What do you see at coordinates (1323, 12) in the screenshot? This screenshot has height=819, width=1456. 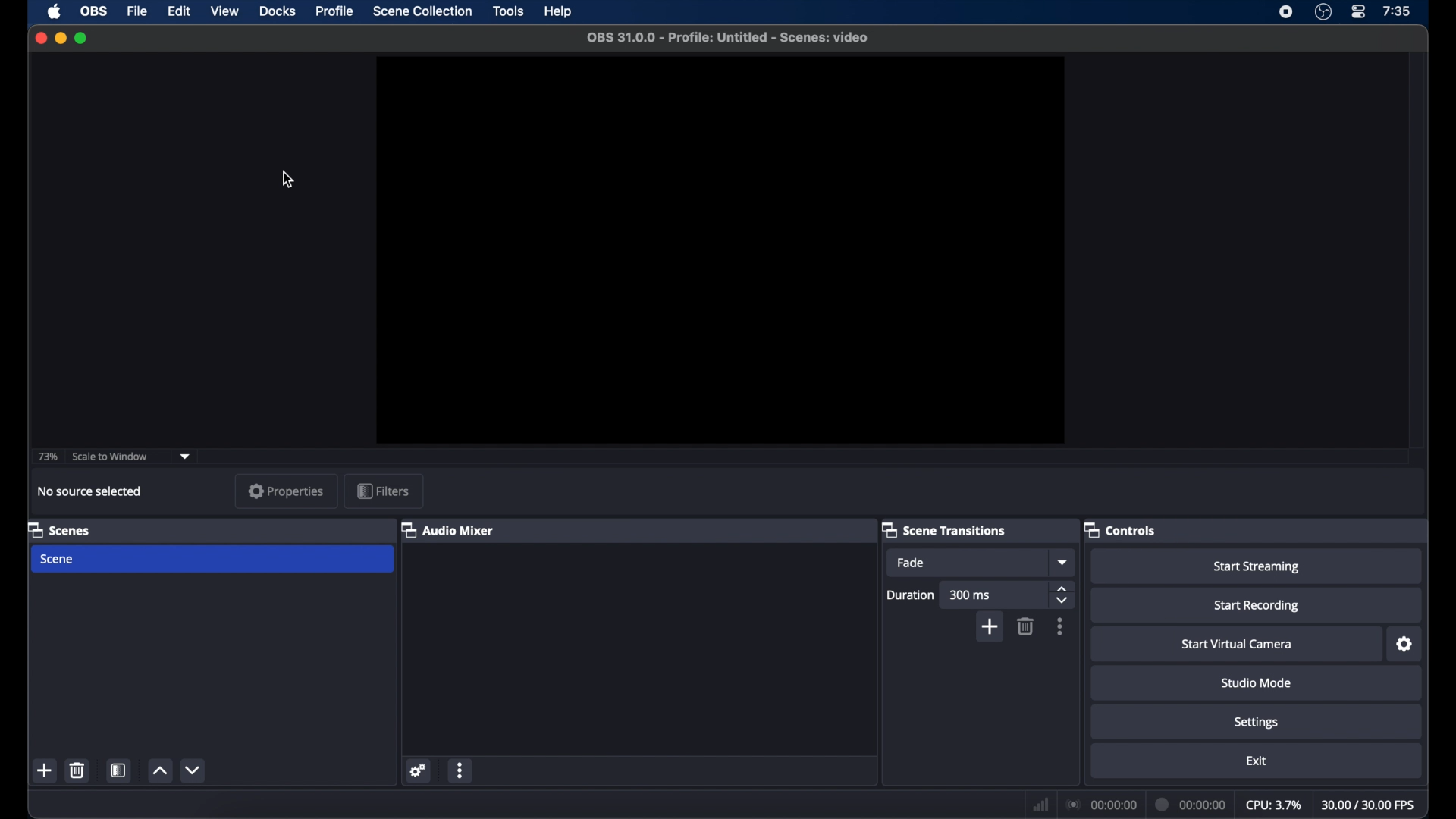 I see `obs studio` at bounding box center [1323, 12].